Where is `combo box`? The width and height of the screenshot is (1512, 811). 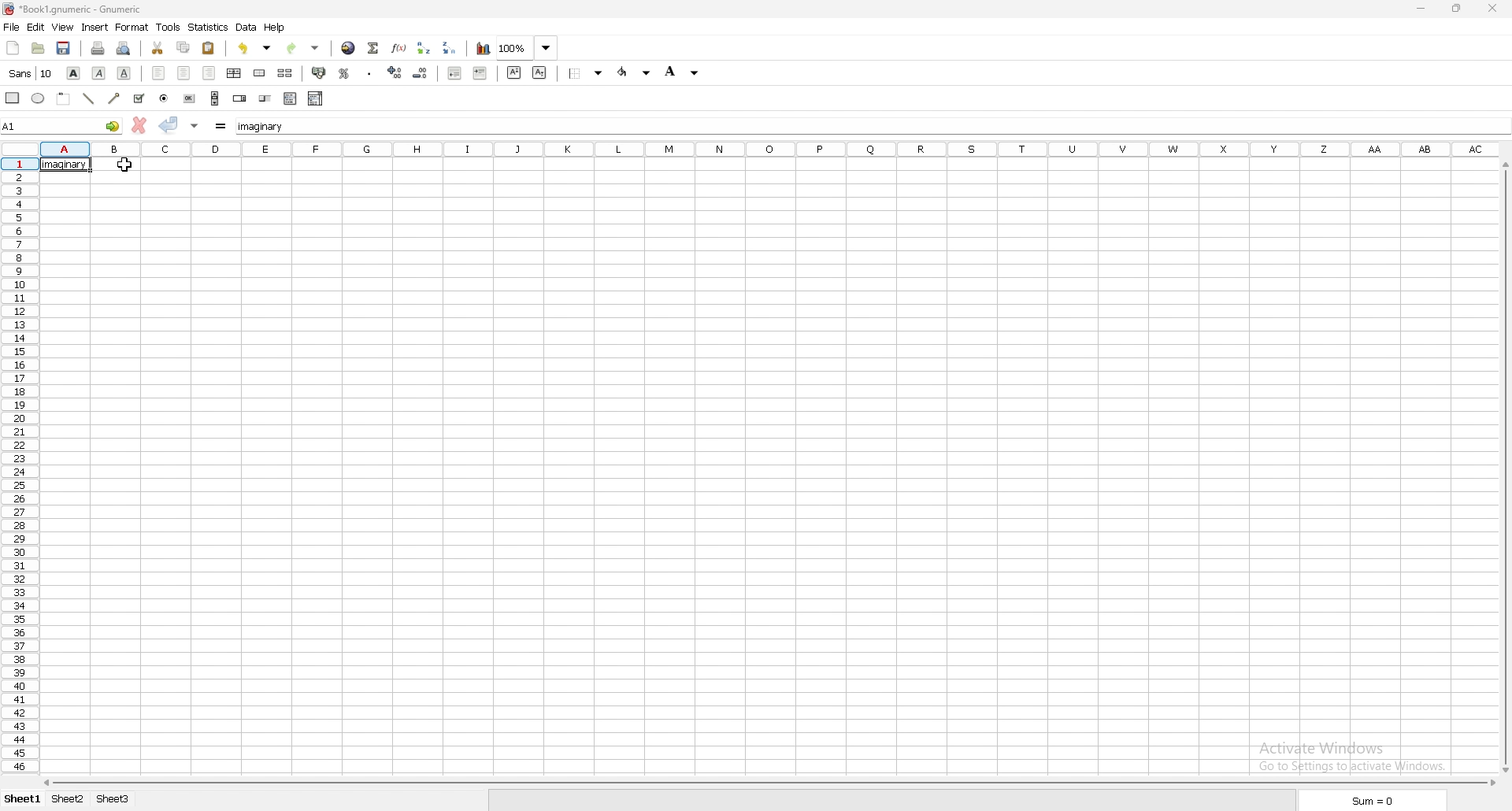
combo box is located at coordinates (317, 99).